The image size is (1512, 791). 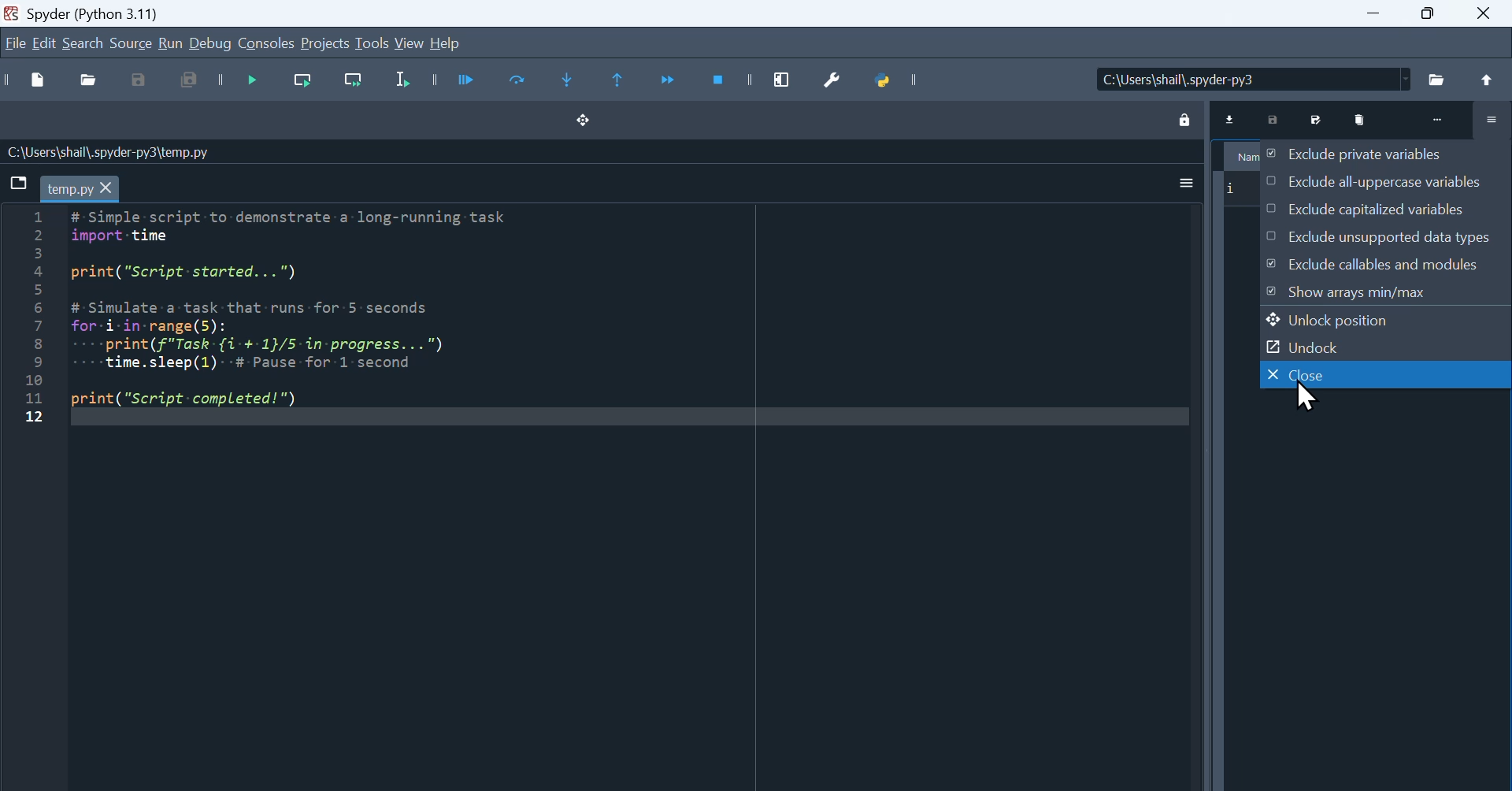 What do you see at coordinates (1386, 236) in the screenshot?
I see `Exclude unsupported data types` at bounding box center [1386, 236].